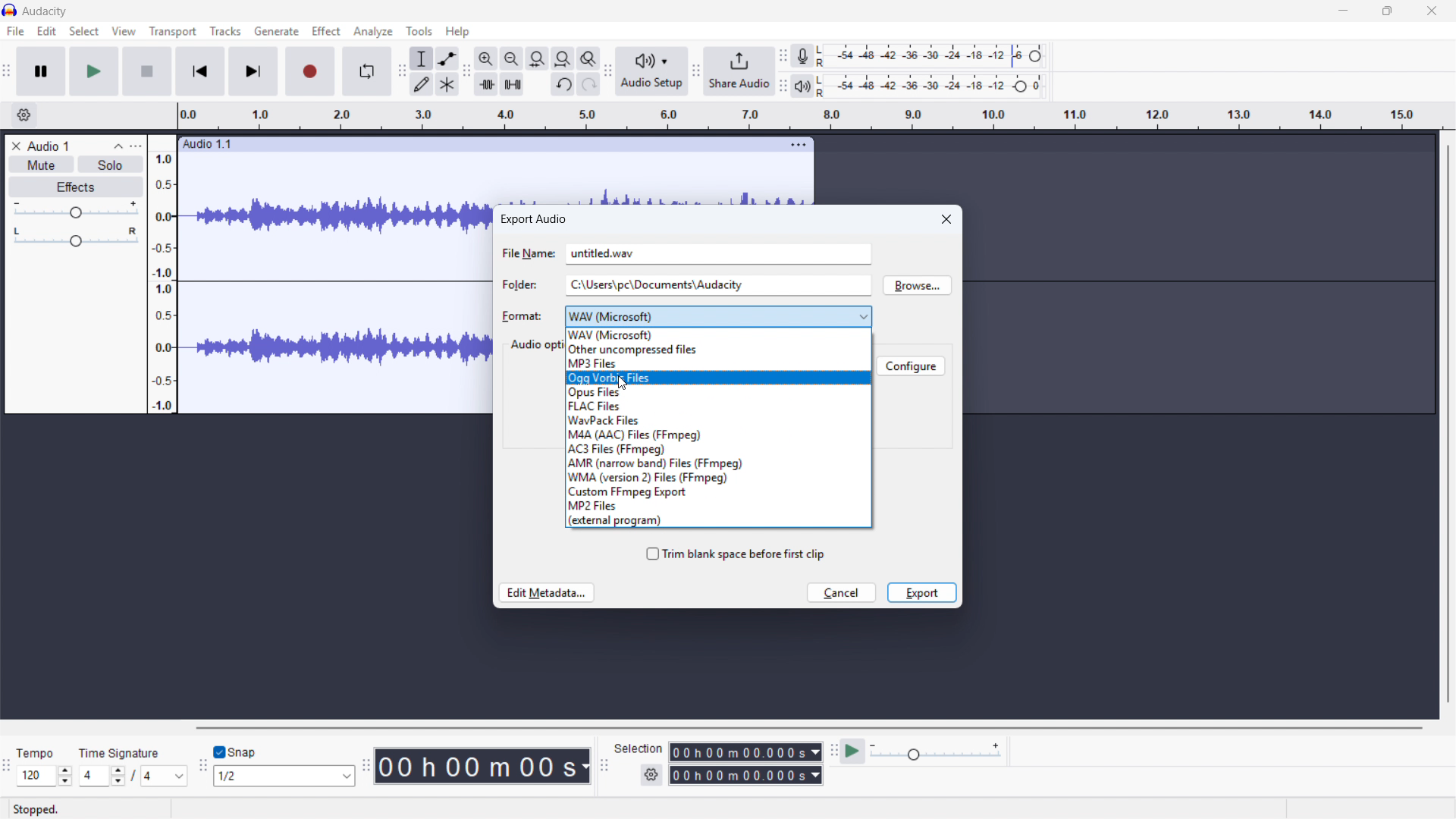 This screenshot has height=819, width=1456. I want to click on Draw tool , so click(420, 84).